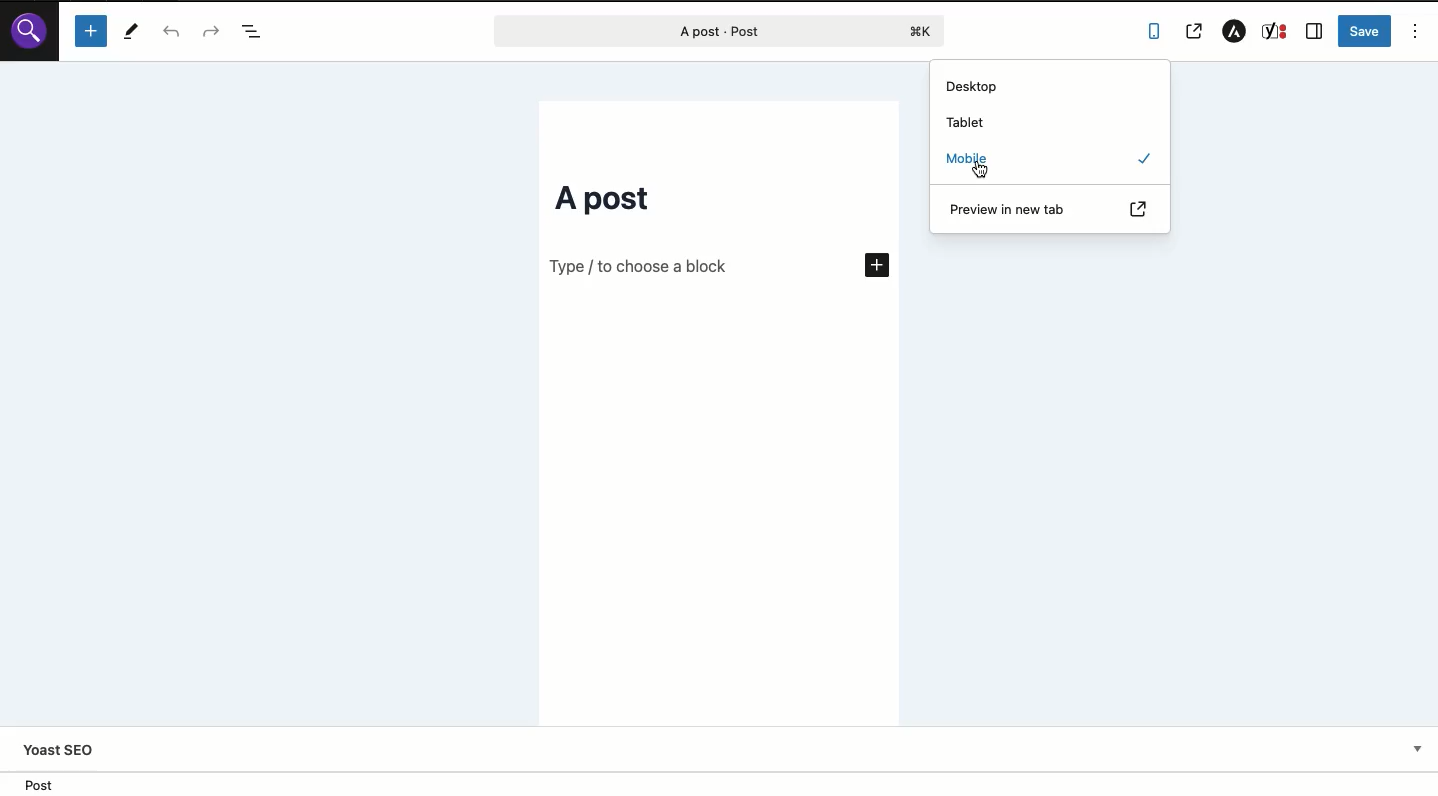  I want to click on Doc overview, so click(256, 32).